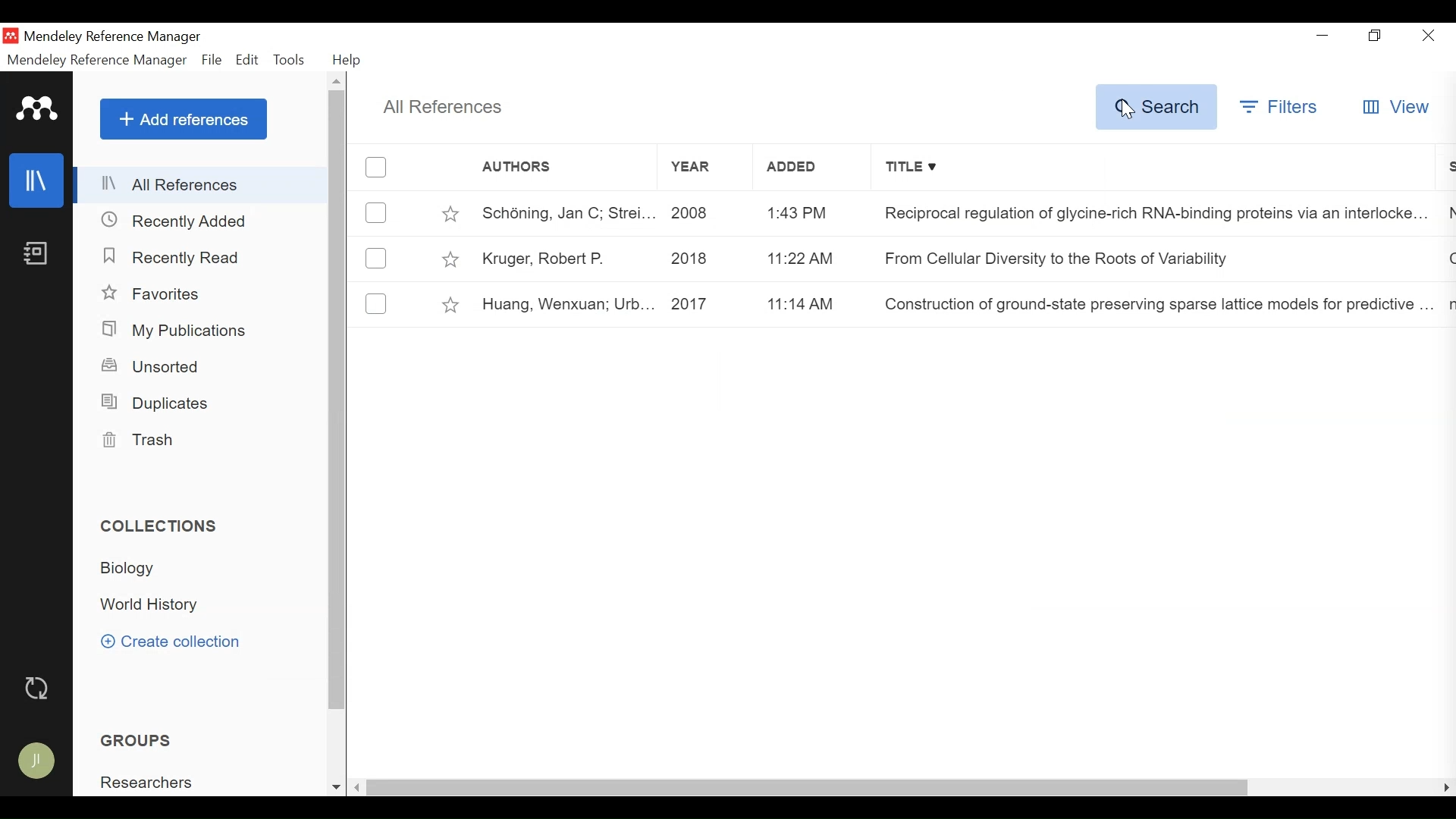  What do you see at coordinates (11, 36) in the screenshot?
I see `Mendeley Desktop Icon` at bounding box center [11, 36].